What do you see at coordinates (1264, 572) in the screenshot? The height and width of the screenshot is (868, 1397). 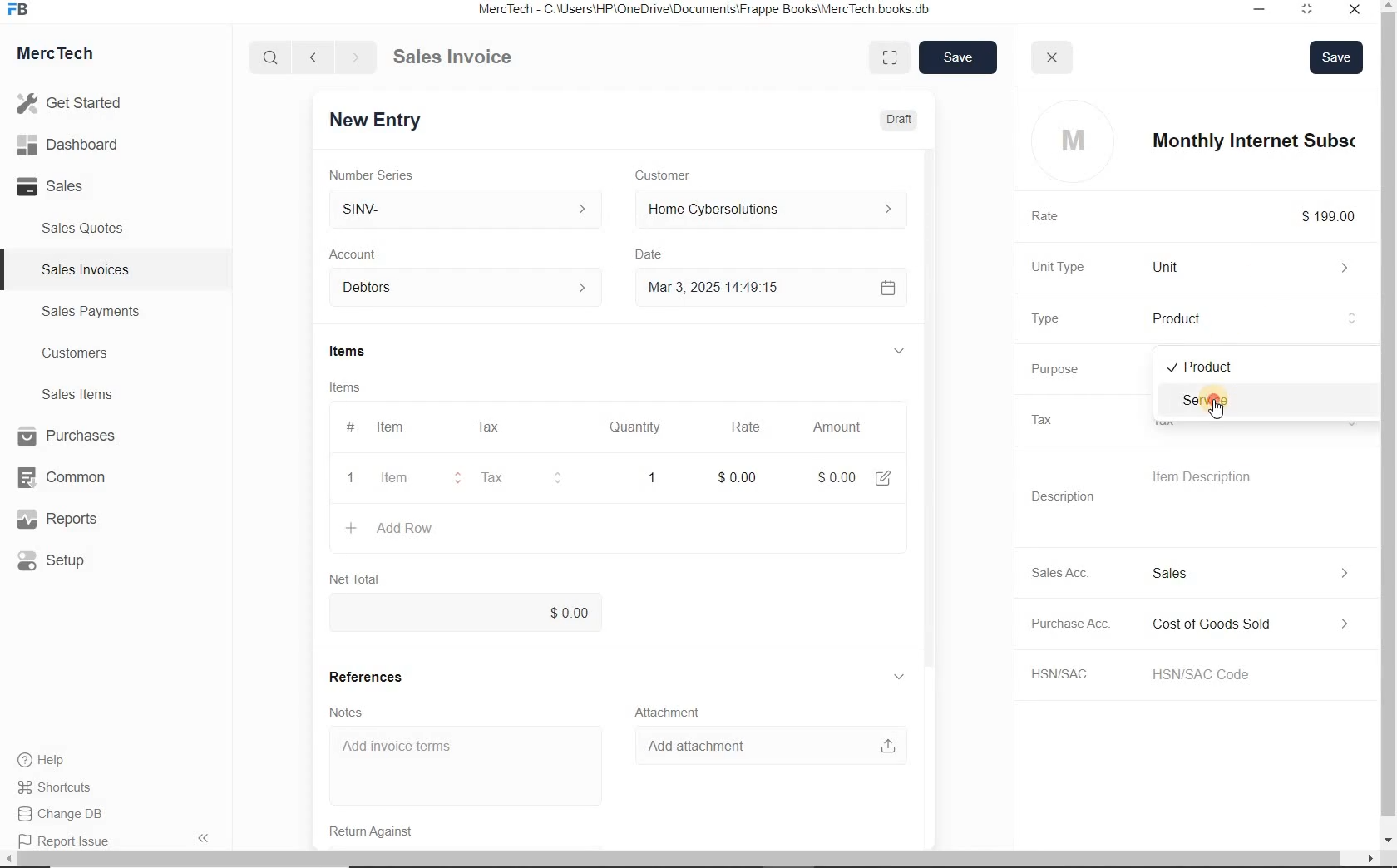 I see `Income` at bounding box center [1264, 572].